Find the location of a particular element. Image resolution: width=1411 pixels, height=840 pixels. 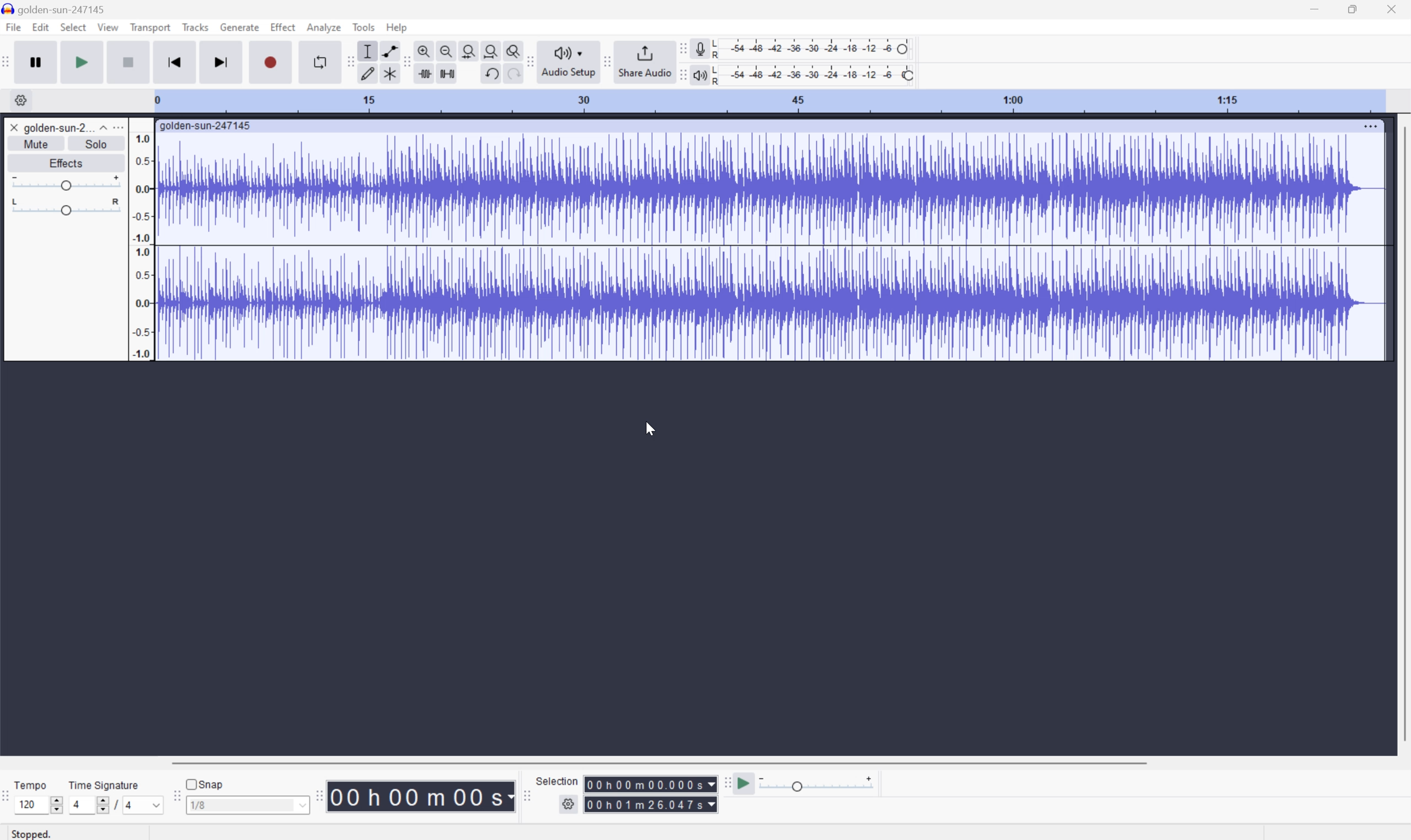

Play back speed is located at coordinates (820, 783).